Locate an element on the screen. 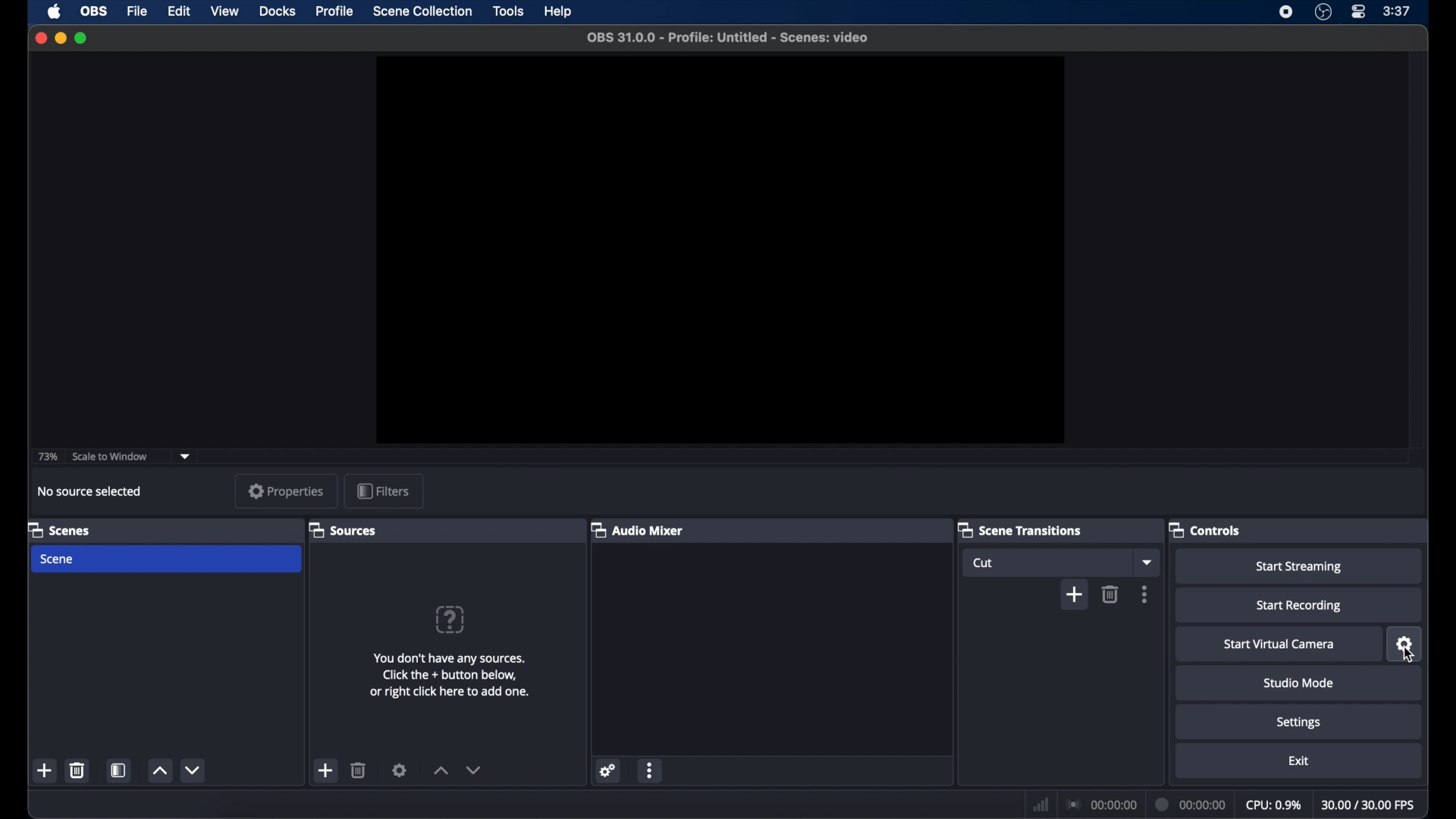  file is located at coordinates (136, 11).